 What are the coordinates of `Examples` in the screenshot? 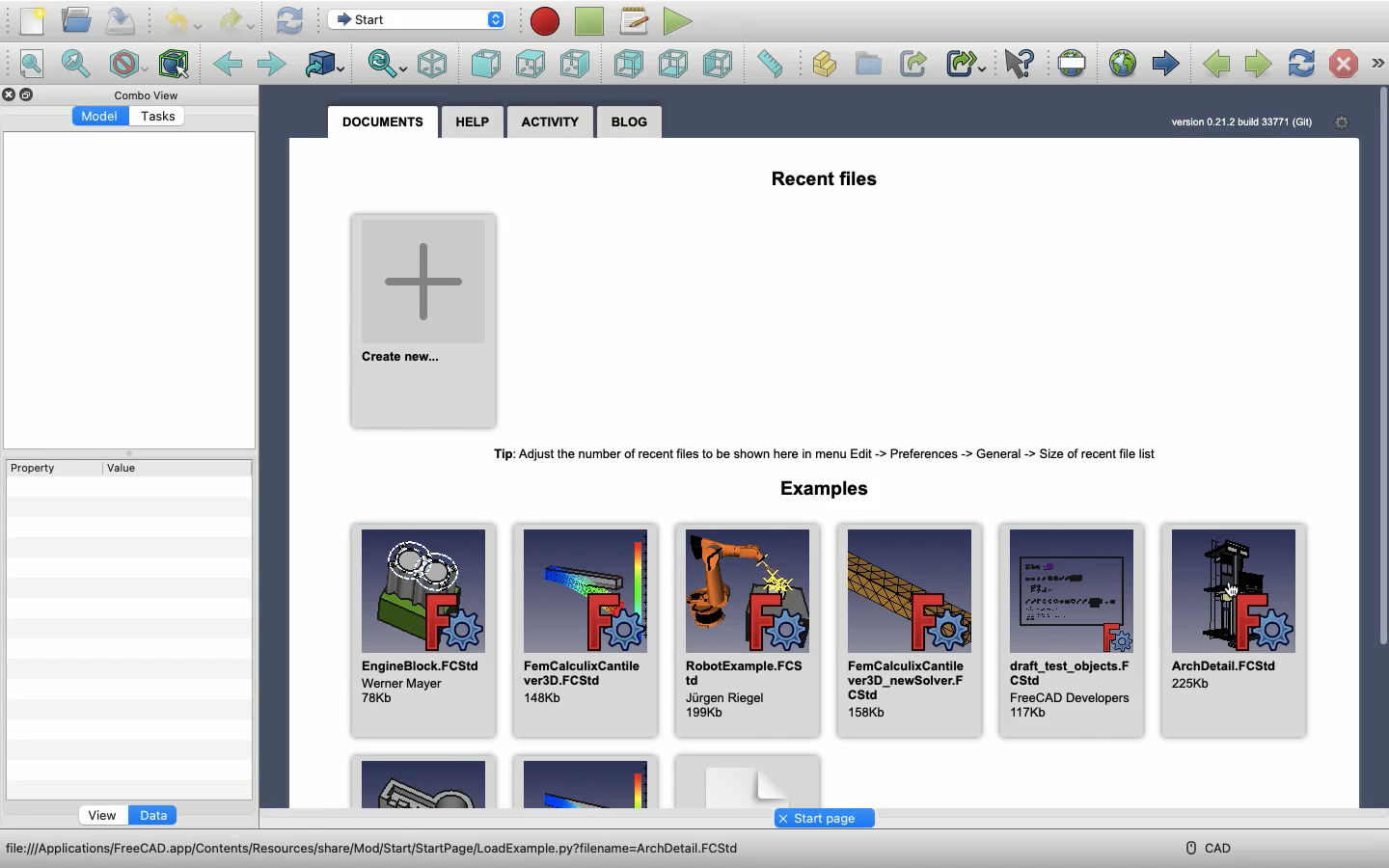 It's located at (831, 486).